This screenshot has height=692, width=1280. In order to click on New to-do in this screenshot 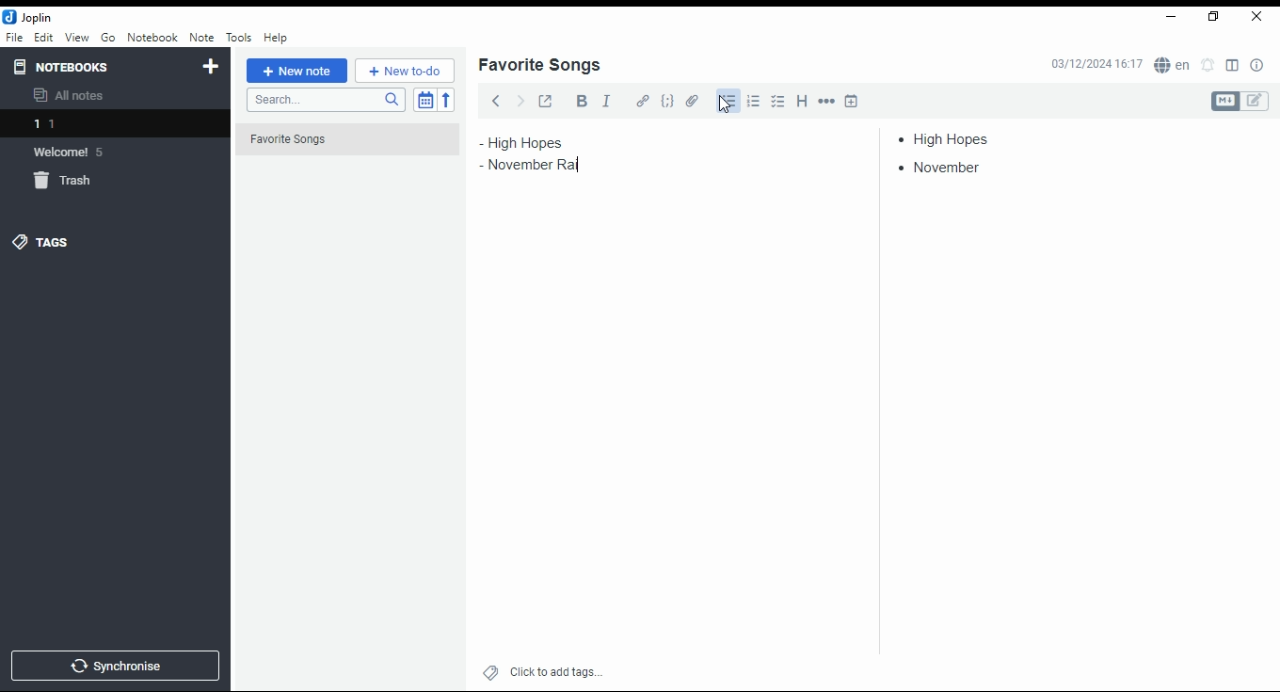, I will do `click(405, 71)`.